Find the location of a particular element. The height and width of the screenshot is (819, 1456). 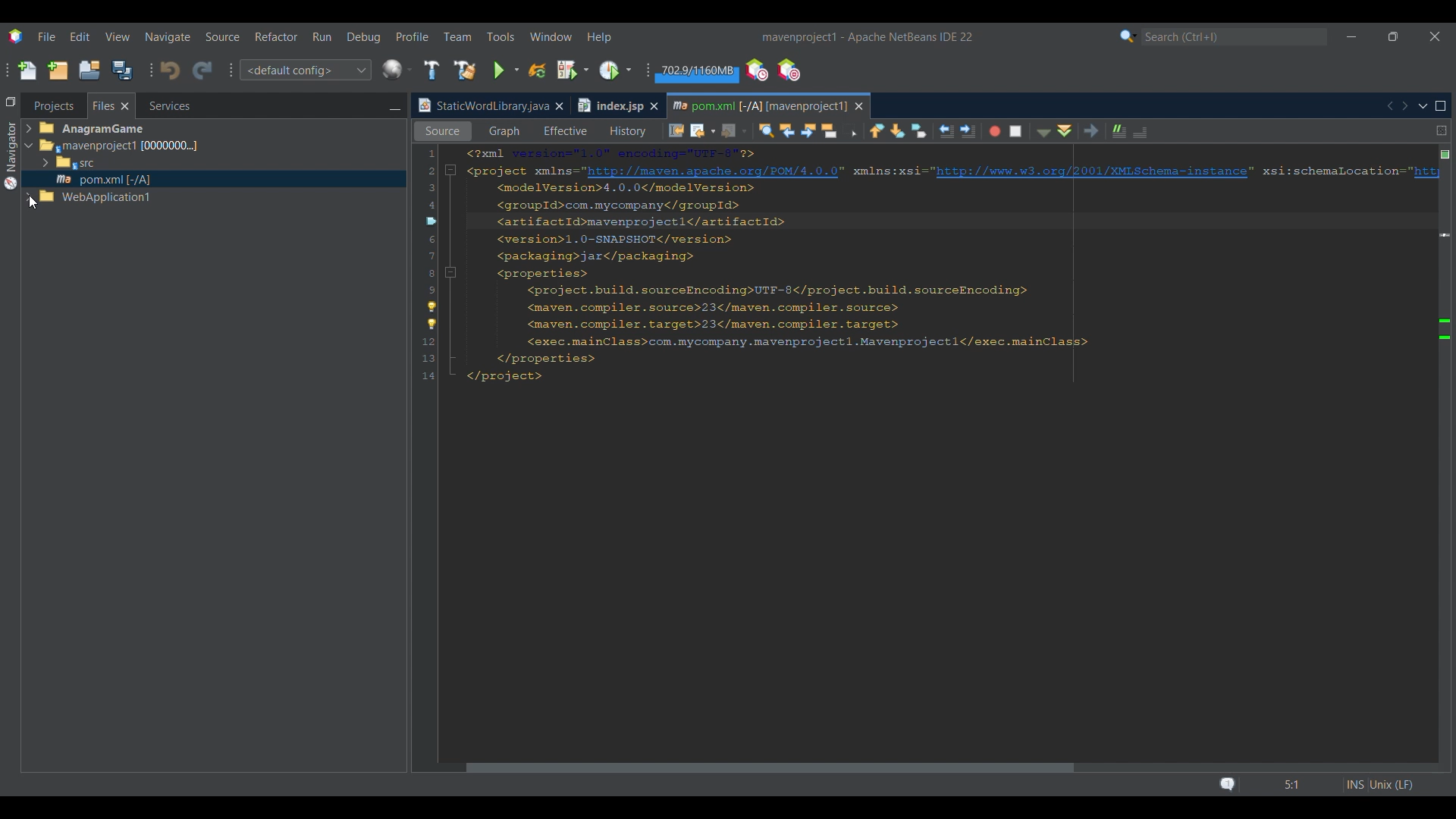

Convert to release option for strict compatibility checks is located at coordinates (431, 317).